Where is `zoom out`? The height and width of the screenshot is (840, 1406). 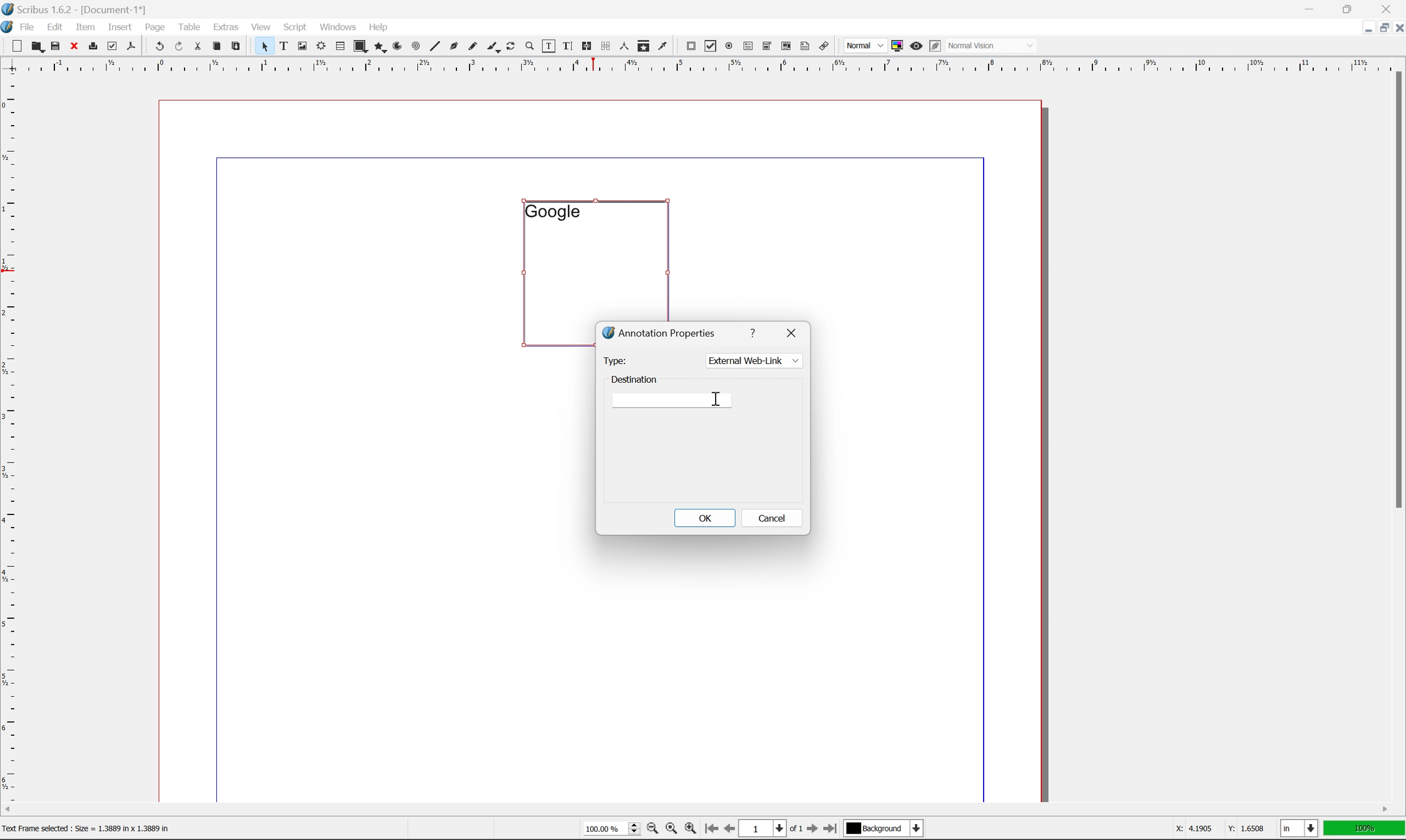
zoom out is located at coordinates (649, 830).